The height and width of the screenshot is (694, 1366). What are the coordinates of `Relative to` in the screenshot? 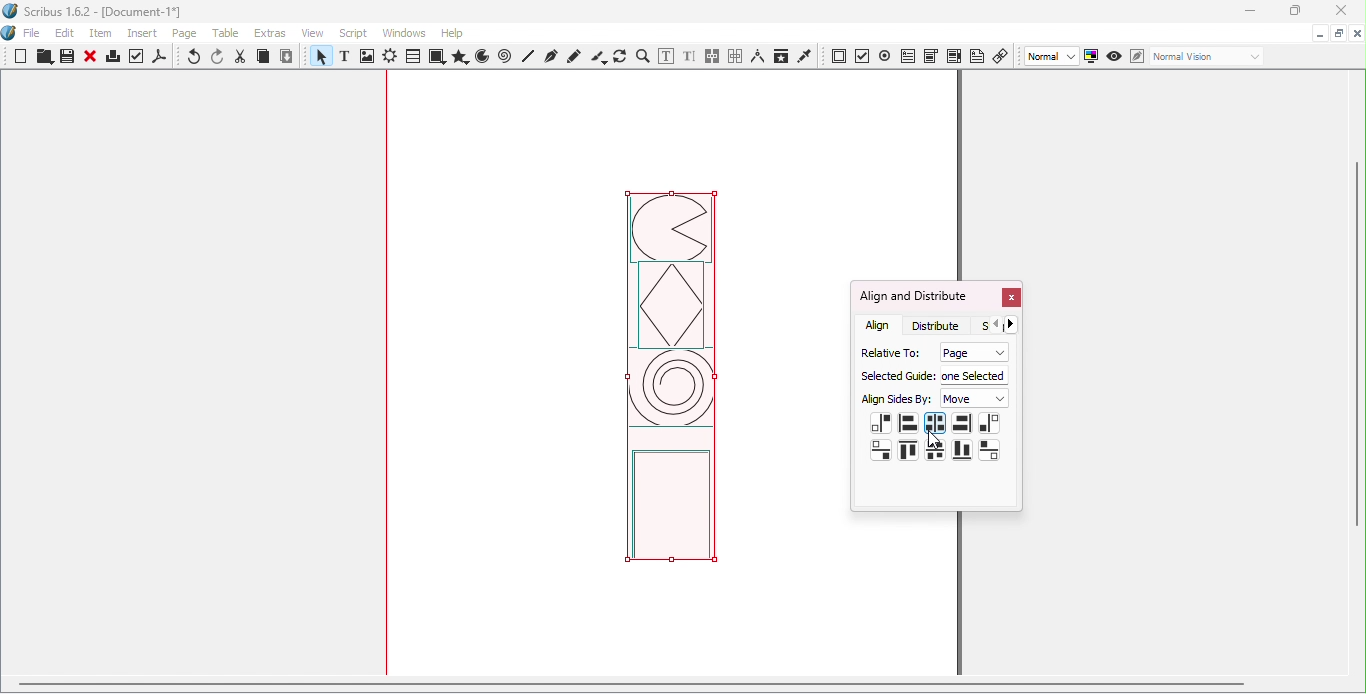 It's located at (887, 351).